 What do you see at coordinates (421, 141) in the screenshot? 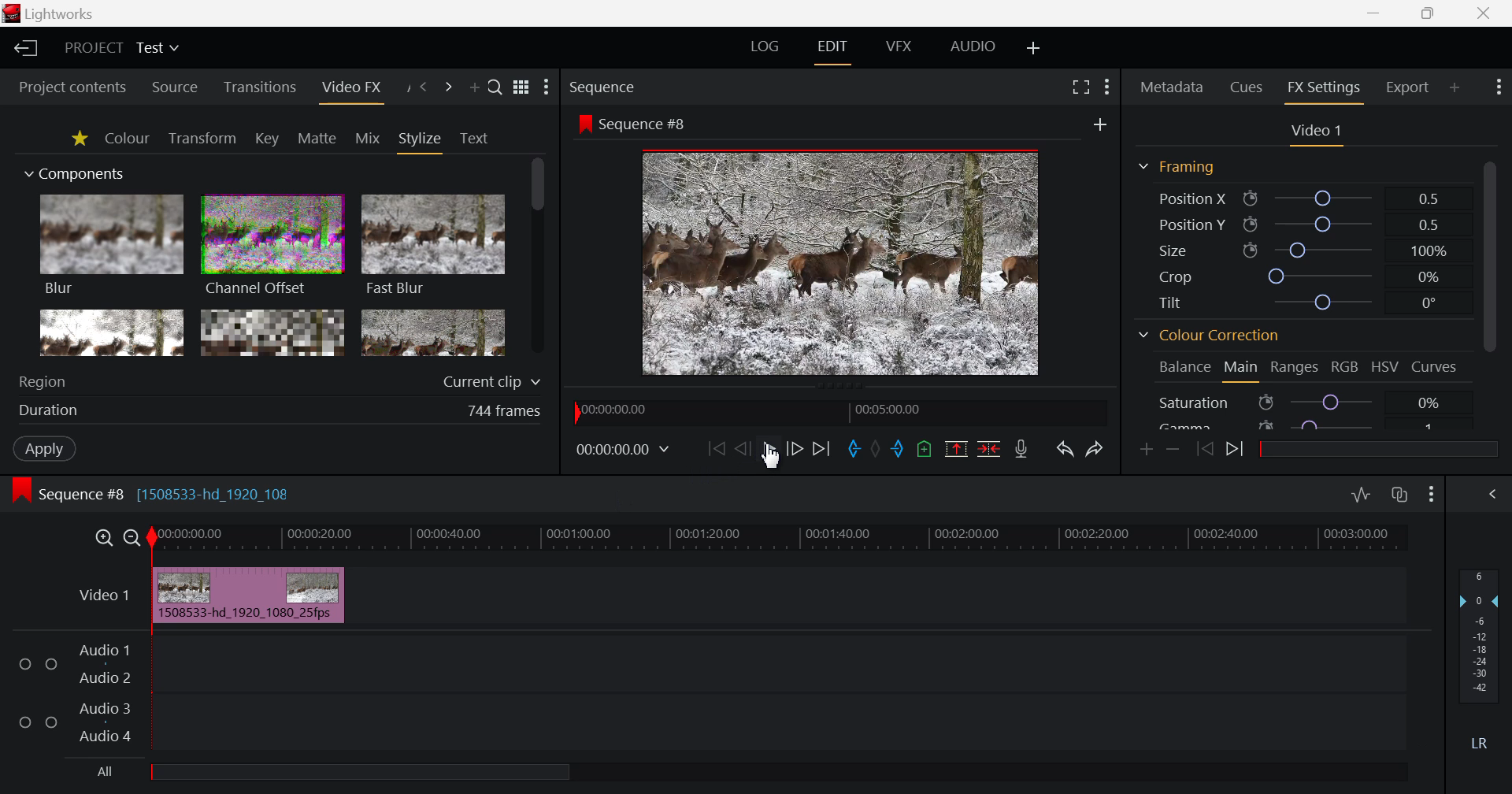
I see `Stylize` at bounding box center [421, 141].